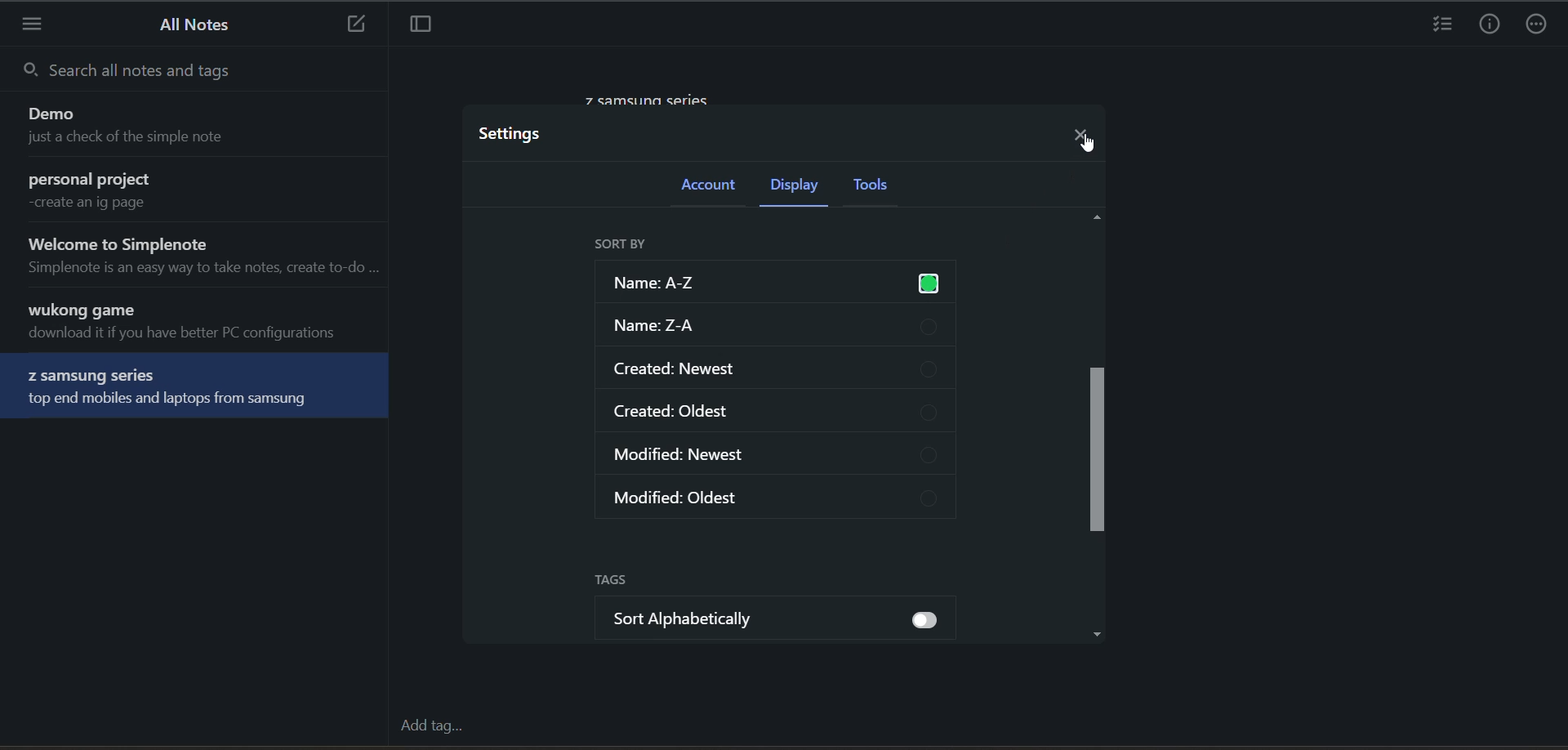  What do you see at coordinates (774, 283) in the screenshot?
I see `name: A-Z - enabled` at bounding box center [774, 283].